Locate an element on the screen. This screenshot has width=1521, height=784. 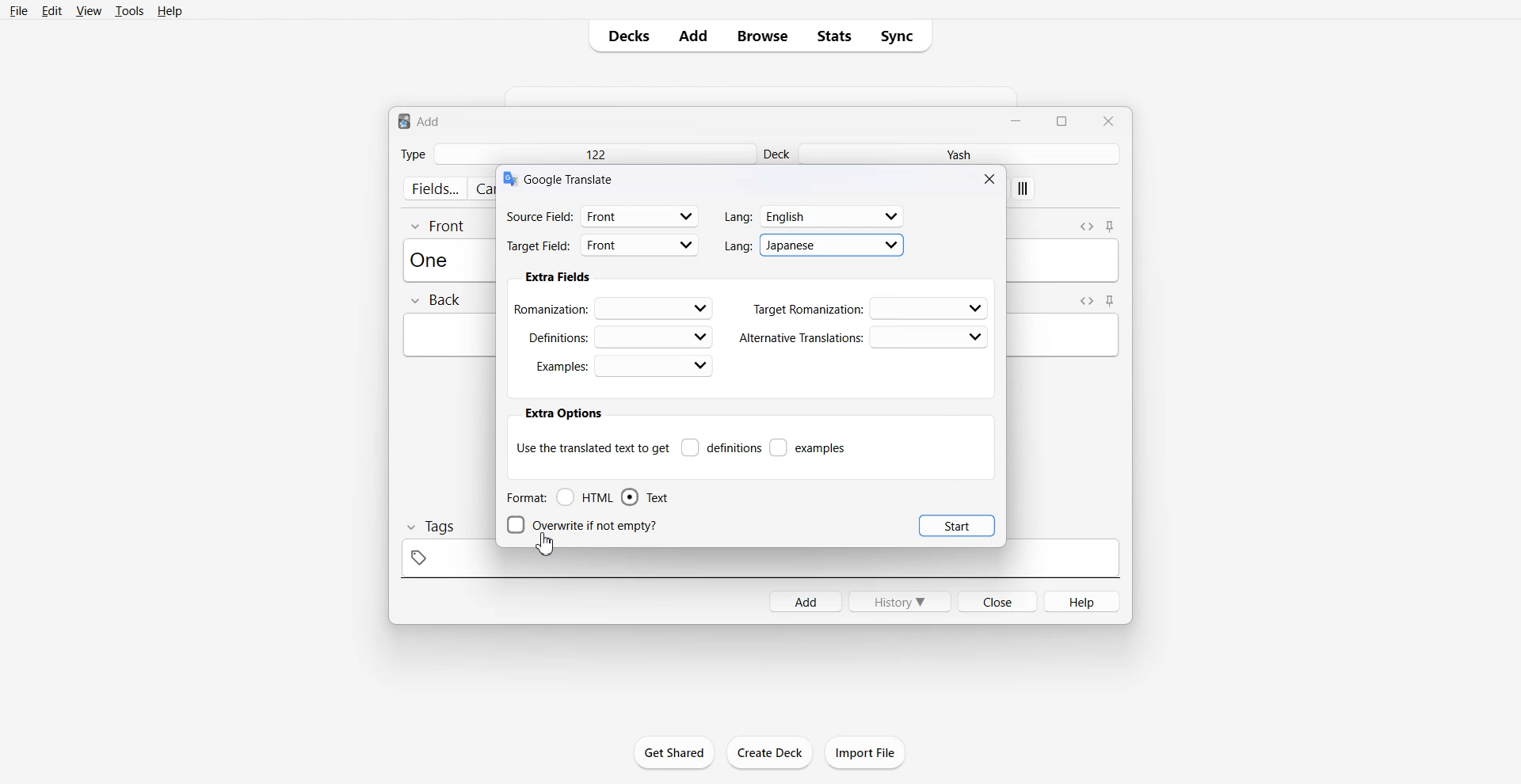
Definitions is located at coordinates (721, 447).